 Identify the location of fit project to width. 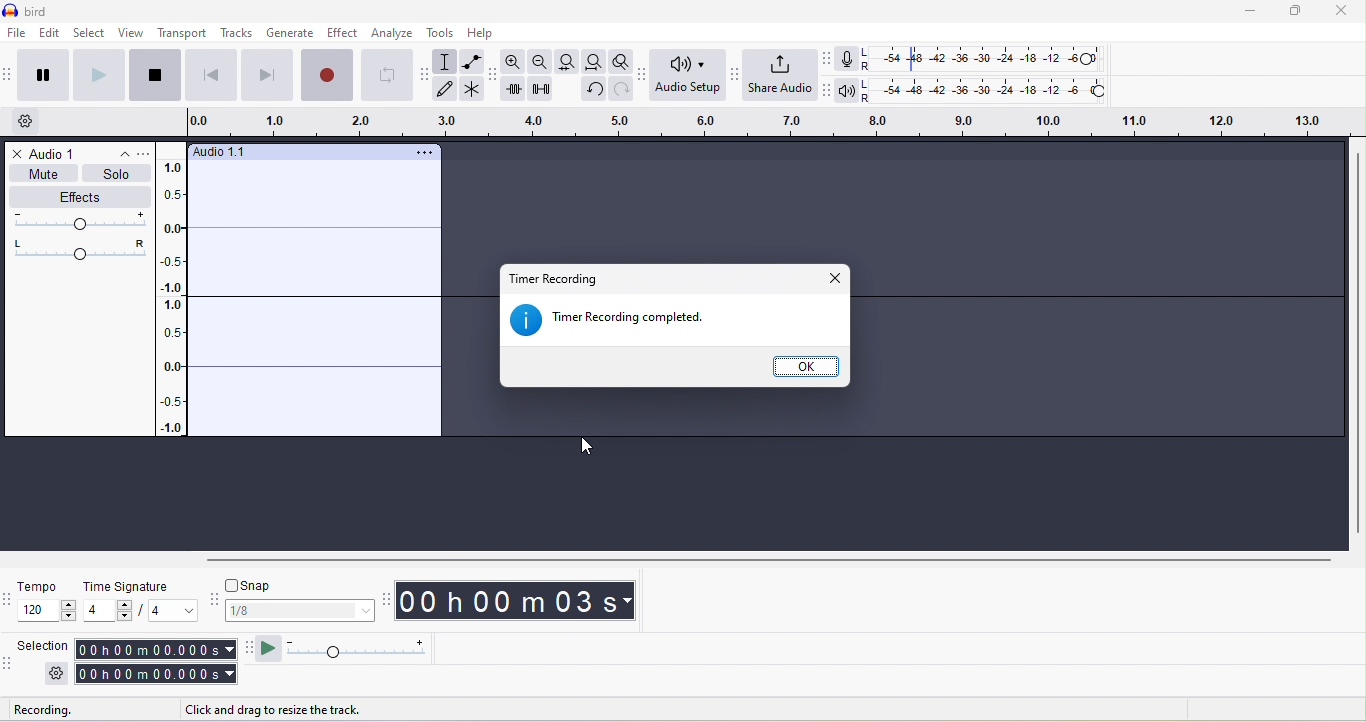
(591, 61).